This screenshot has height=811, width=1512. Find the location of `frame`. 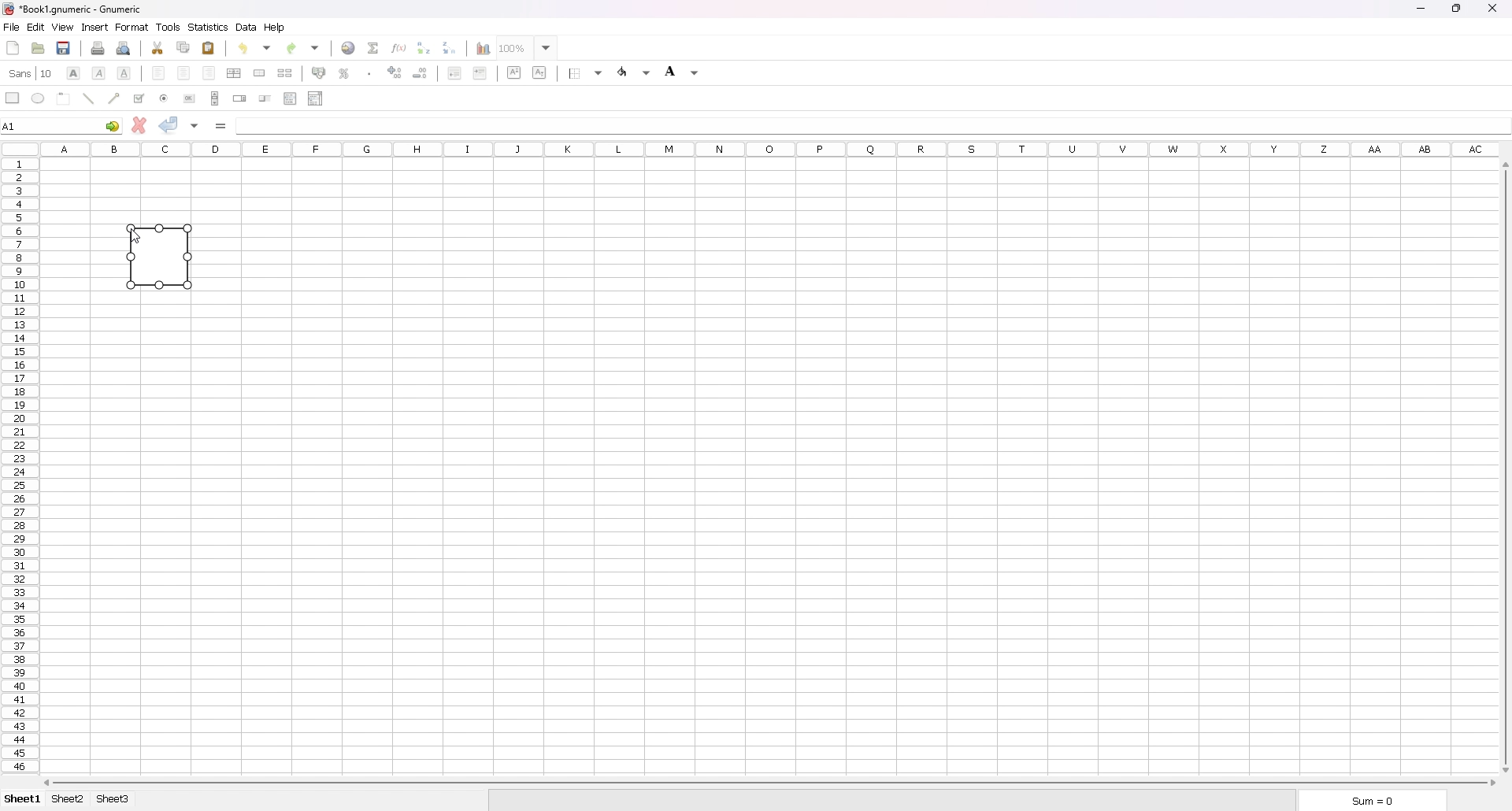

frame is located at coordinates (64, 98).